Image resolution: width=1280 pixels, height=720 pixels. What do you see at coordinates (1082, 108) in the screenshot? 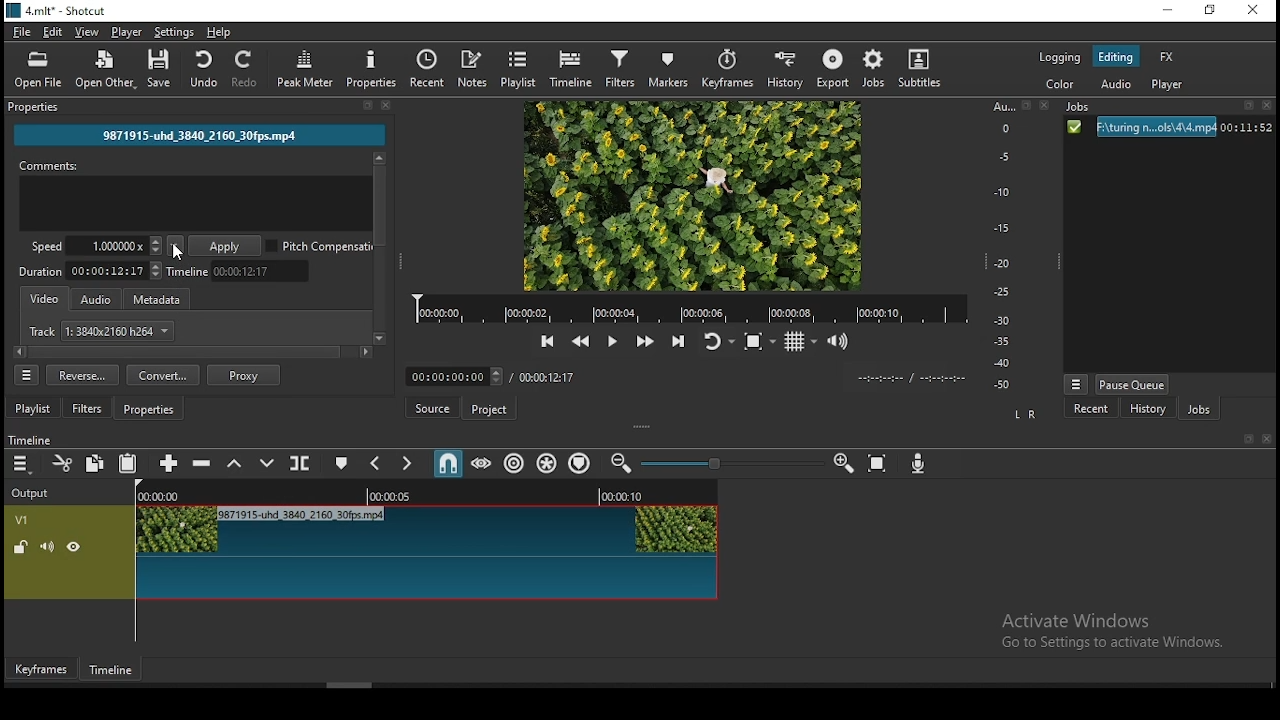
I see `Jobs` at bounding box center [1082, 108].